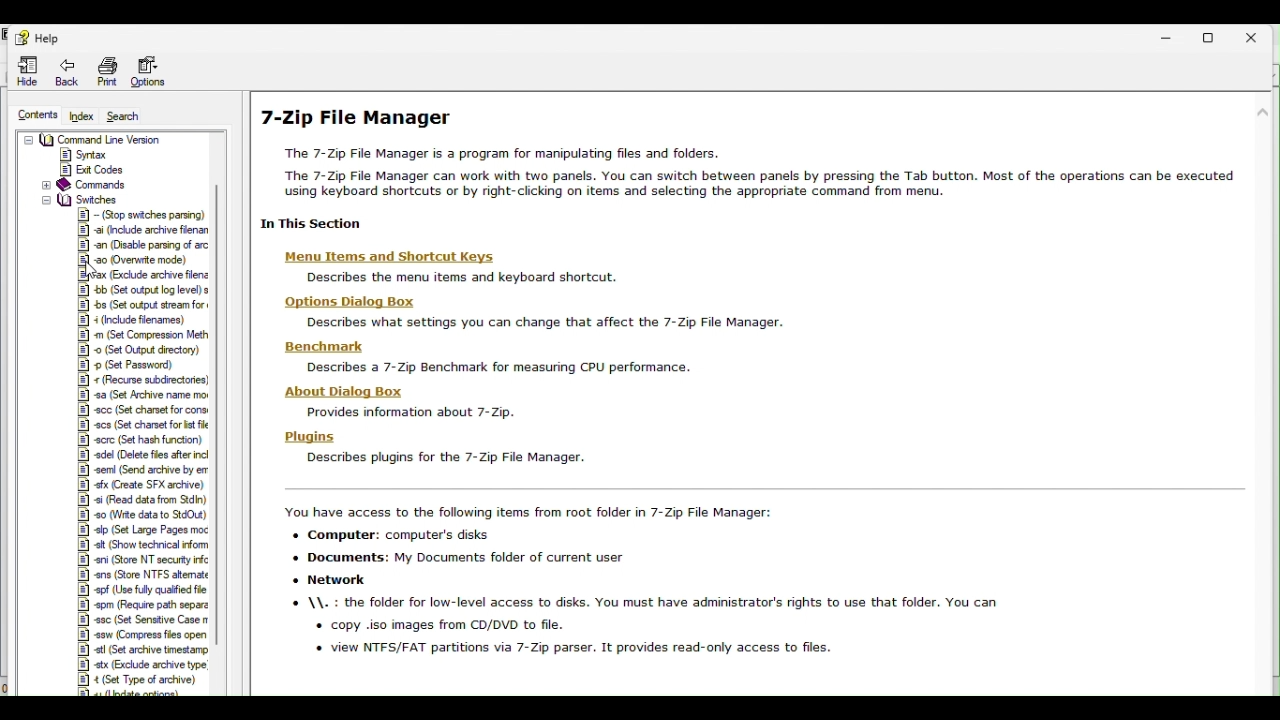 This screenshot has height=720, width=1280. Describe the element at coordinates (325, 347) in the screenshot. I see `Benchmark` at that location.